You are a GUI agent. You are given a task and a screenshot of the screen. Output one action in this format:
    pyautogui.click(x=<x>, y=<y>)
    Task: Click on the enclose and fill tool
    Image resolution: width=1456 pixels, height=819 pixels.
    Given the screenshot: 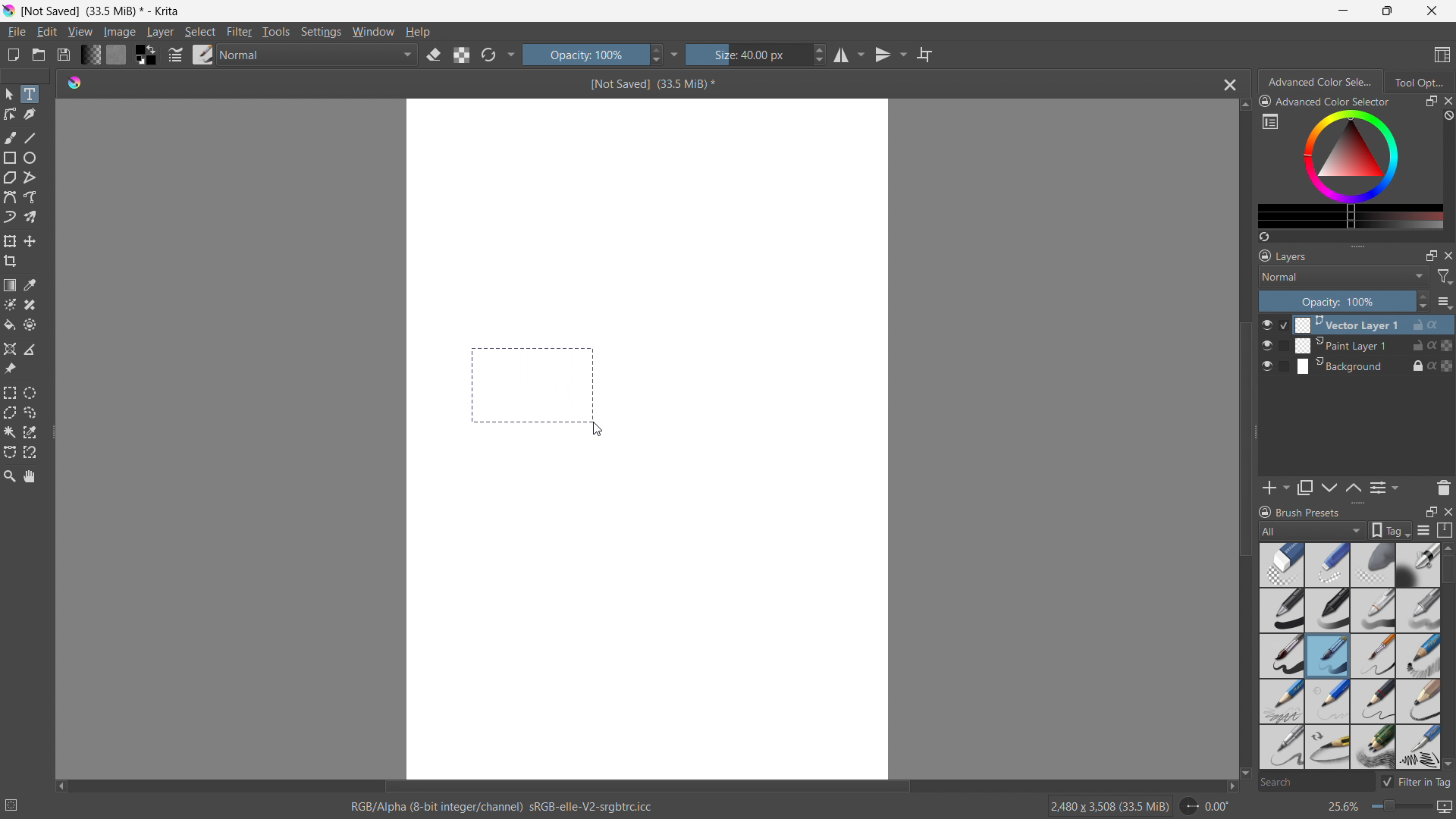 What is the action you would take?
    pyautogui.click(x=30, y=325)
    